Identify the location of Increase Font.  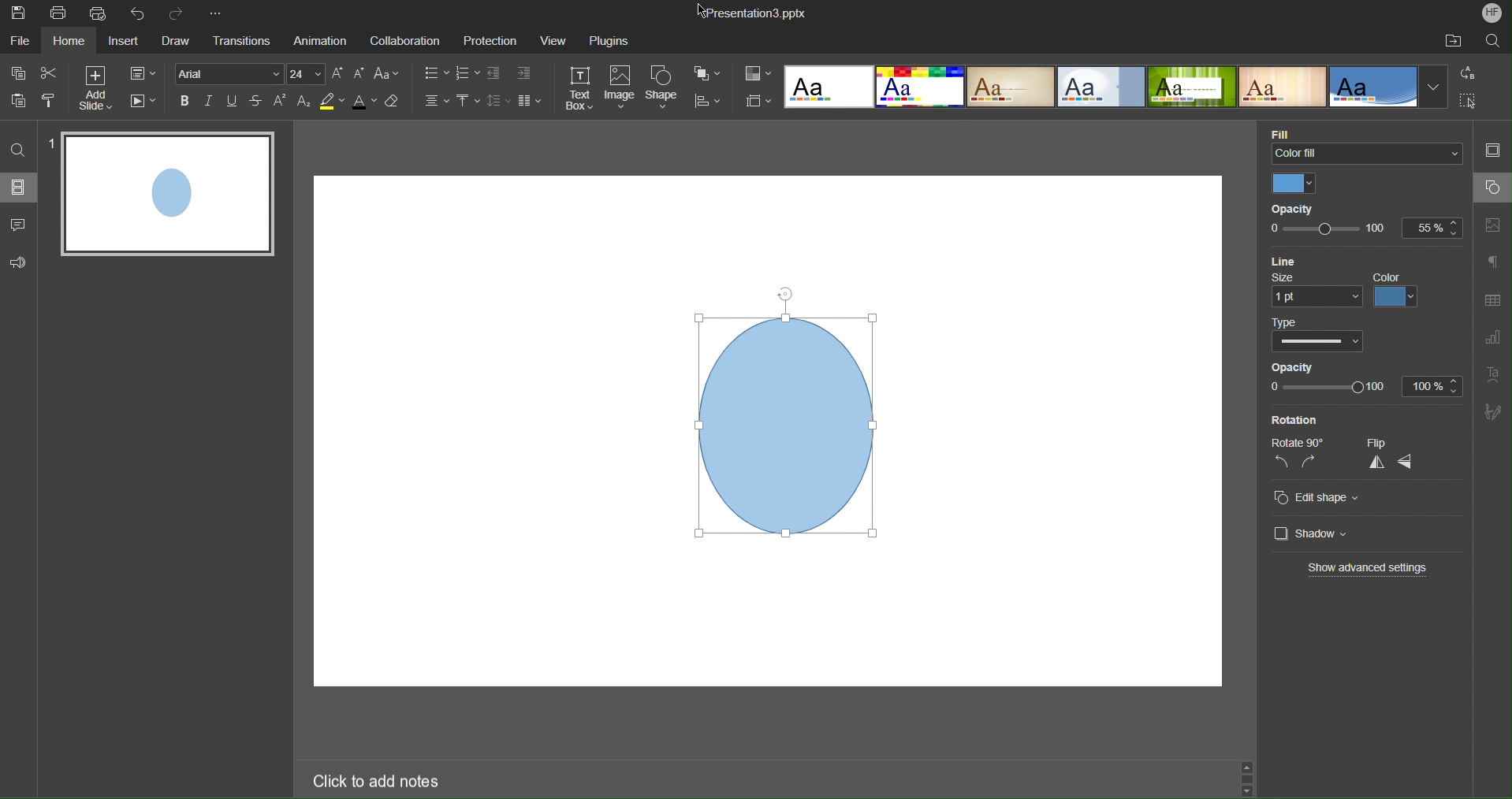
(339, 74).